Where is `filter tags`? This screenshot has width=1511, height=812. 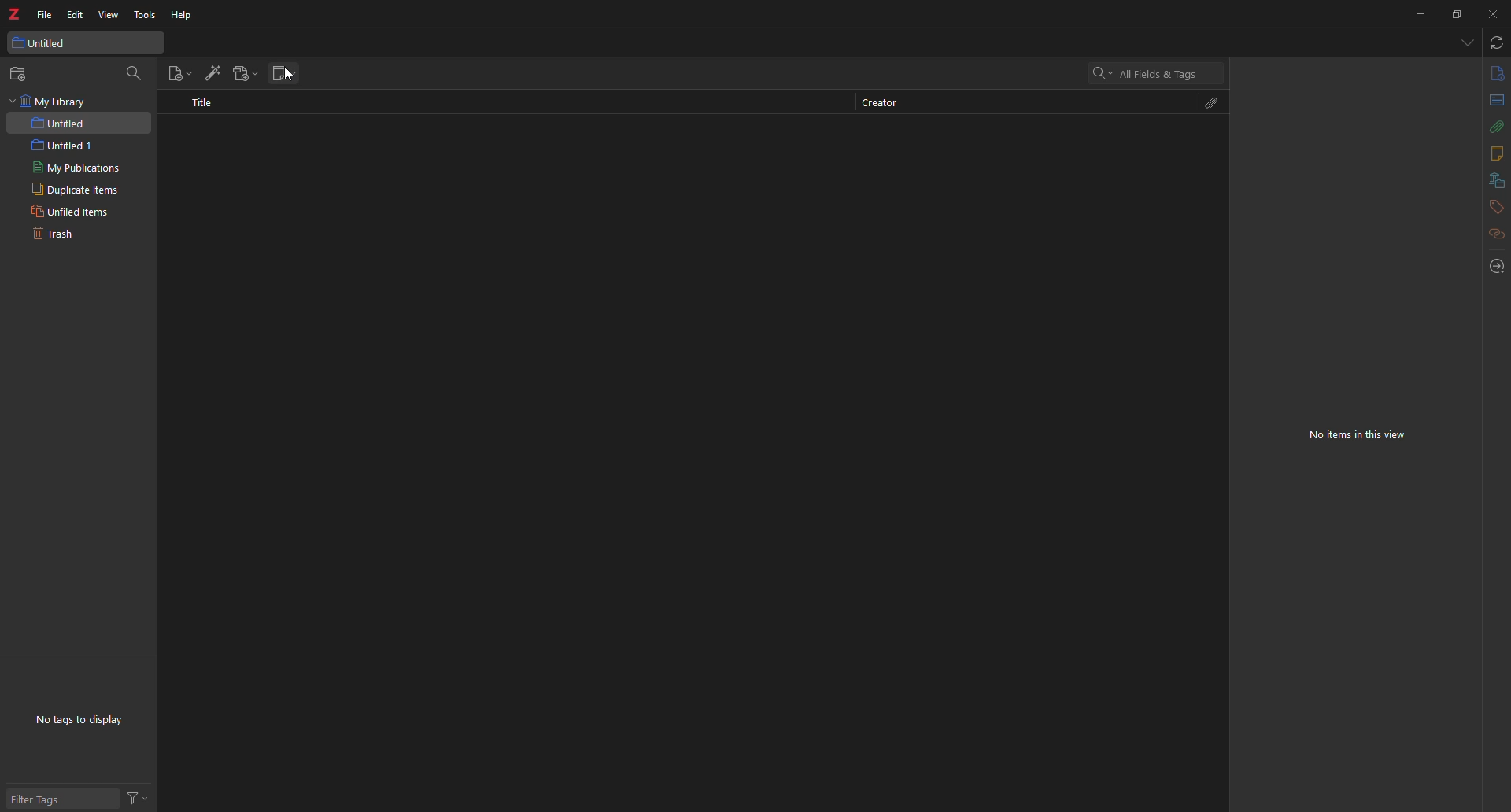 filter tags is located at coordinates (41, 797).